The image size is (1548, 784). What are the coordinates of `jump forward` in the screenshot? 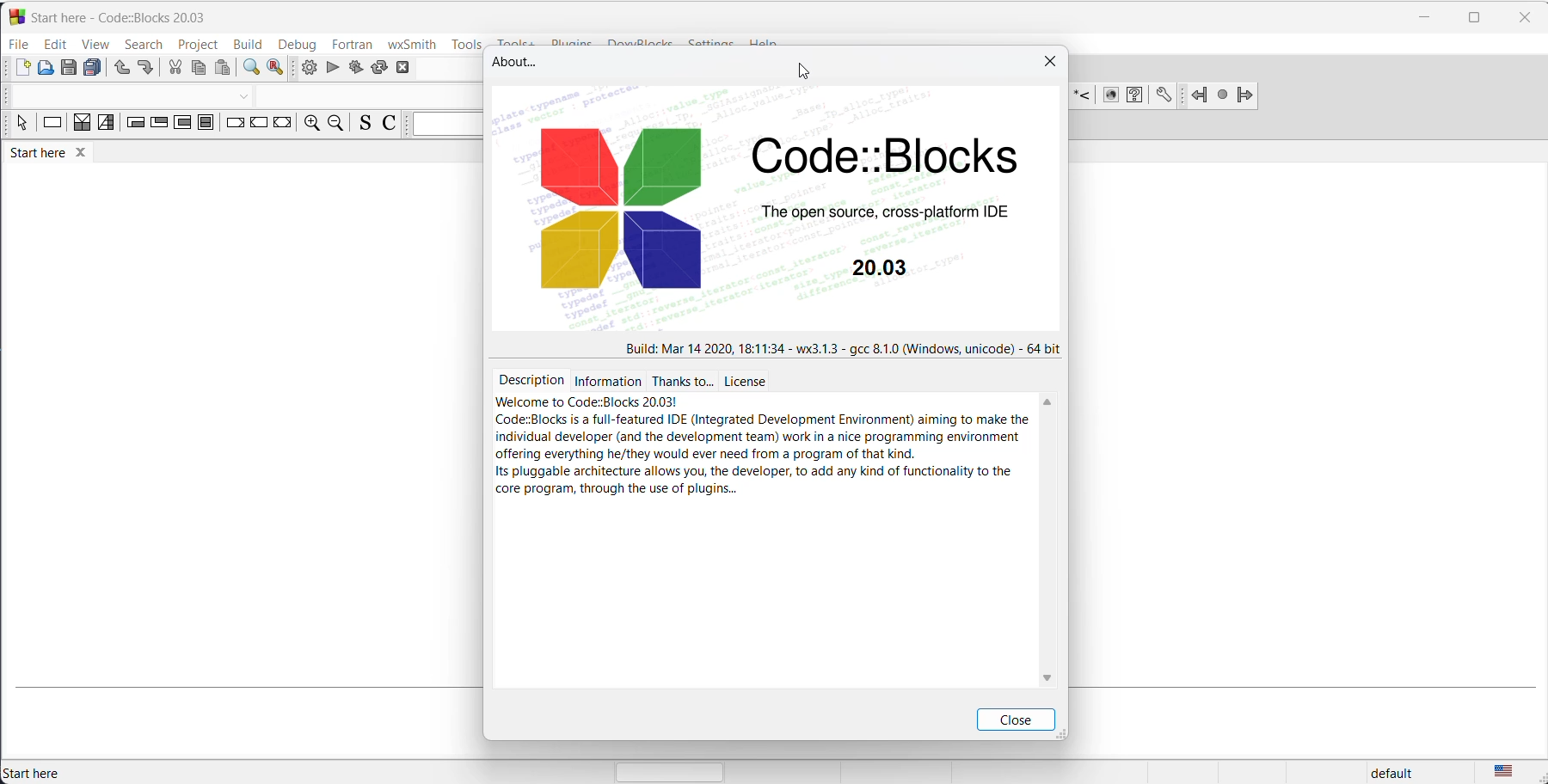 It's located at (1256, 93).